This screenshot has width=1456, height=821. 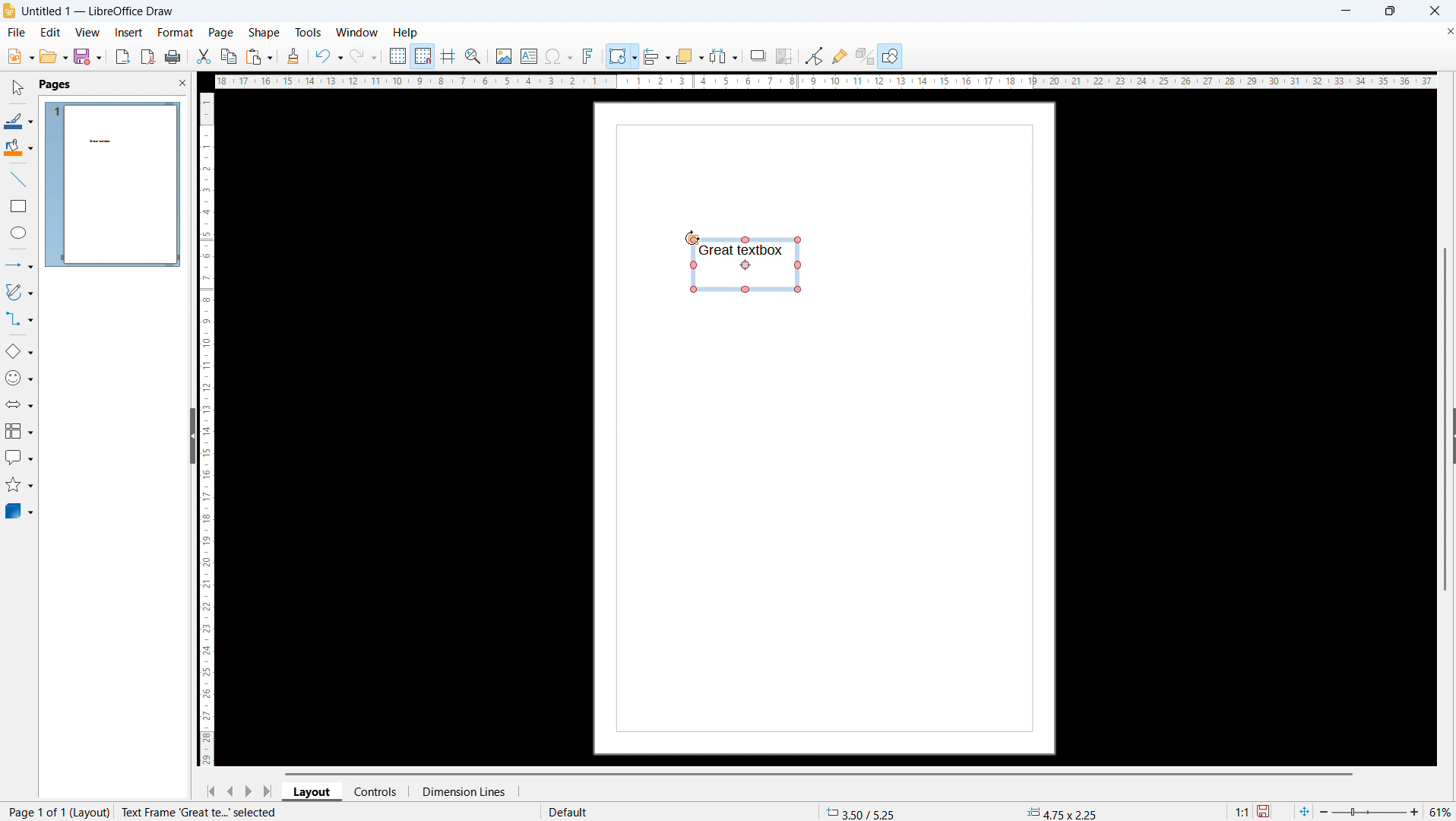 I want to click on connectors, so click(x=19, y=320).